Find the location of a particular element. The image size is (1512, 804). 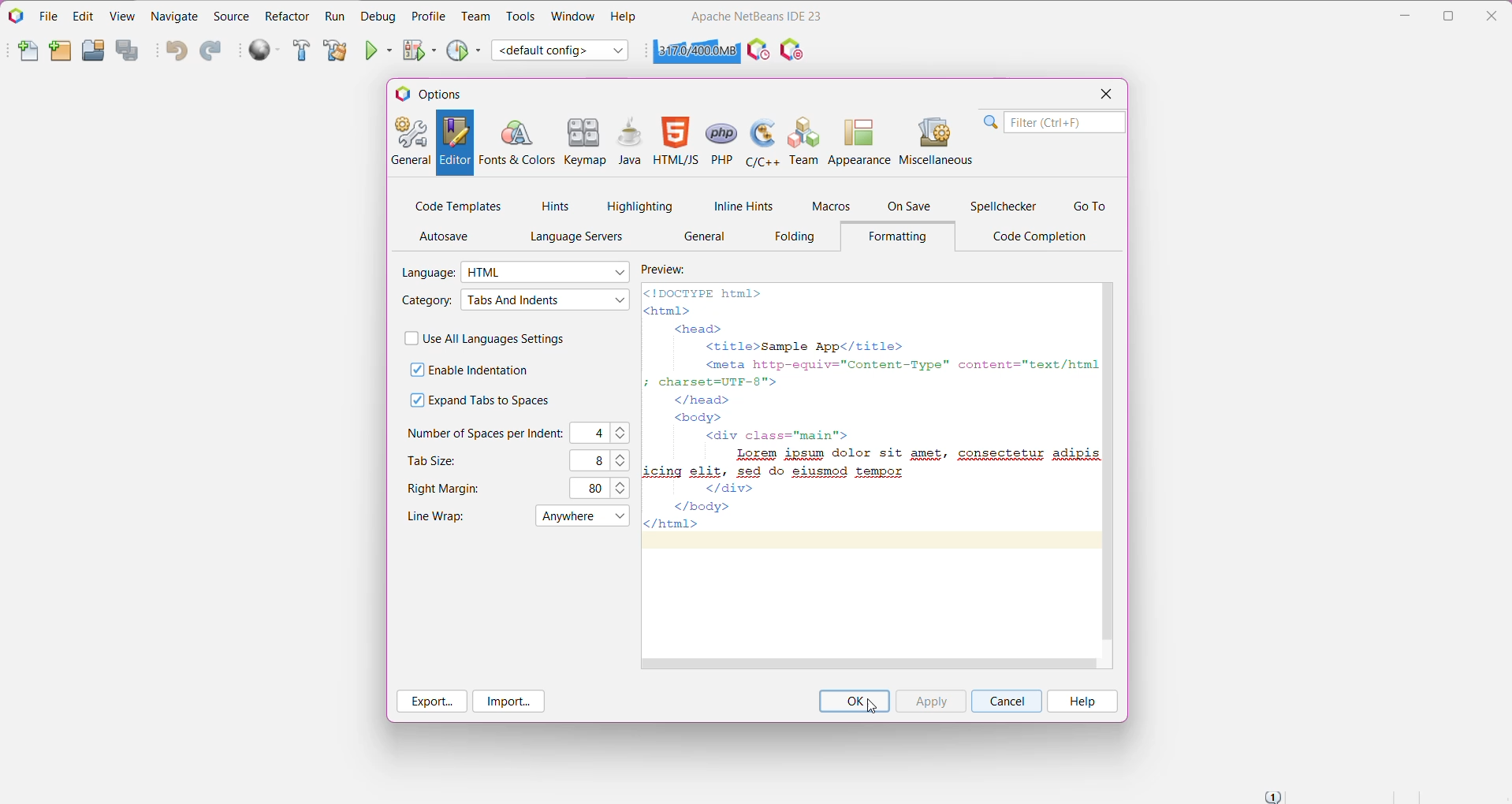

HTML/JS is located at coordinates (676, 143).